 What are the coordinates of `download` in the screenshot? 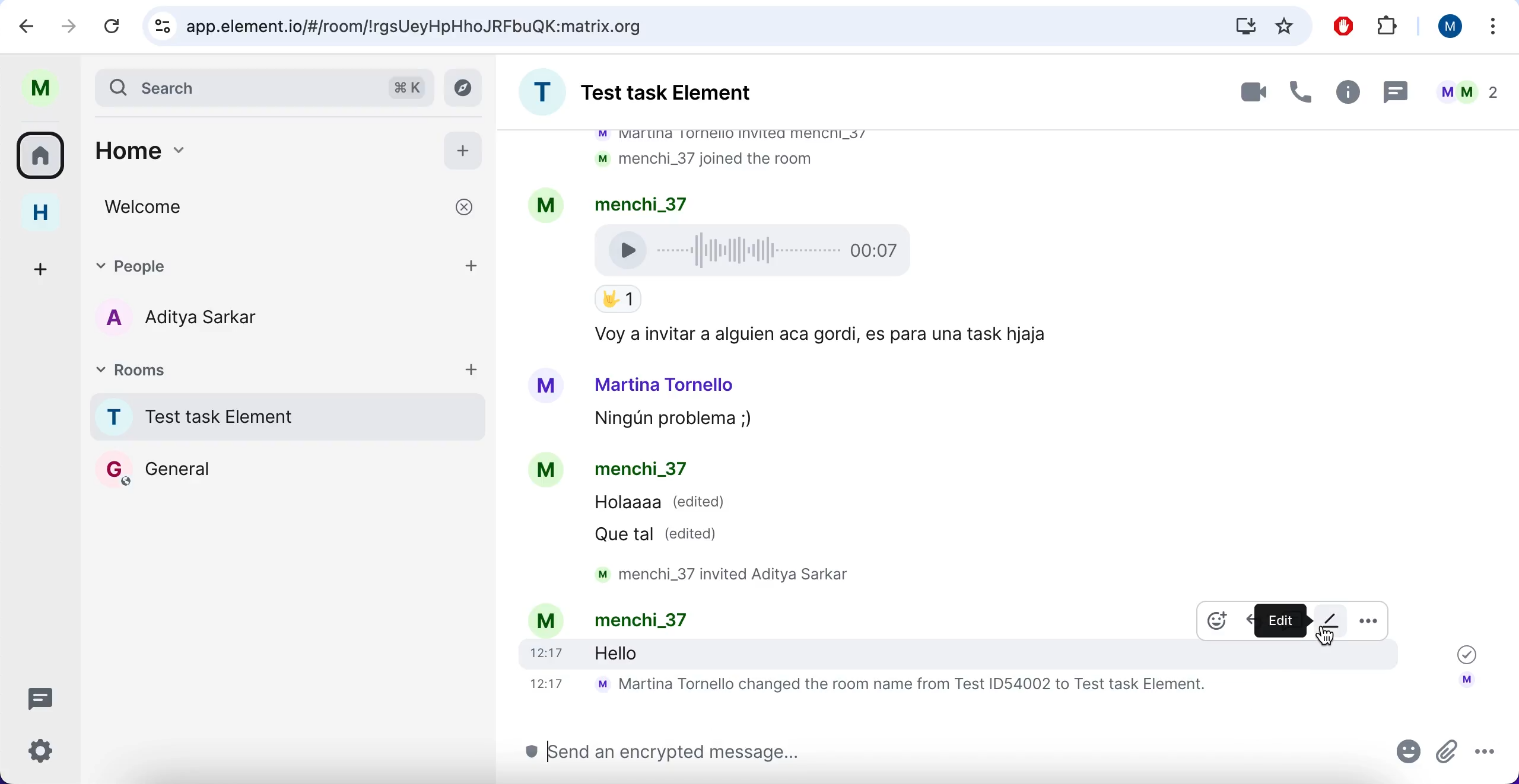 It's located at (1236, 26).